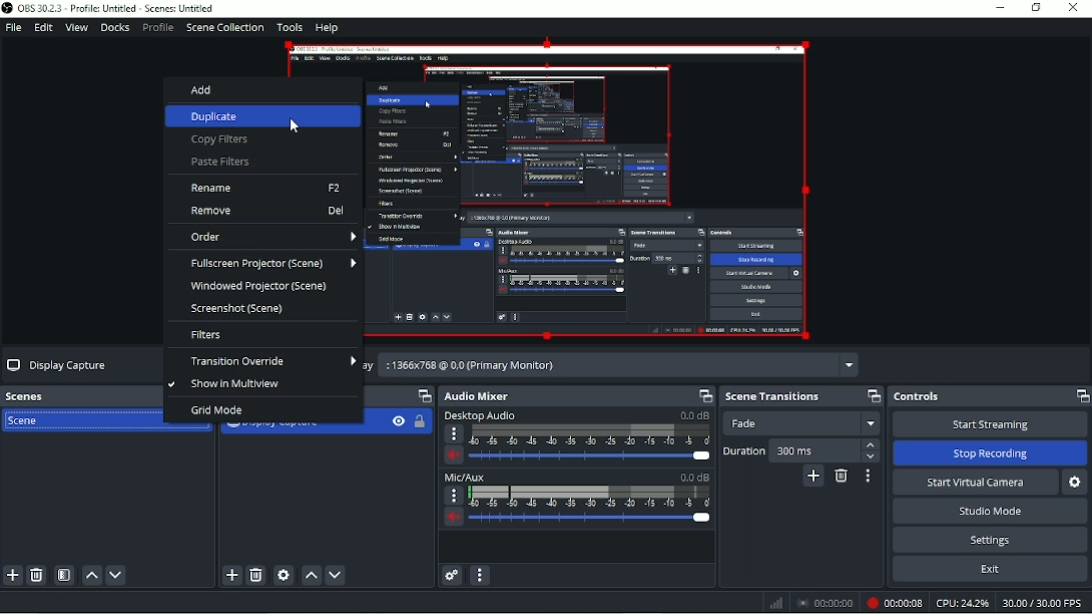  What do you see at coordinates (42, 28) in the screenshot?
I see `Edit` at bounding box center [42, 28].